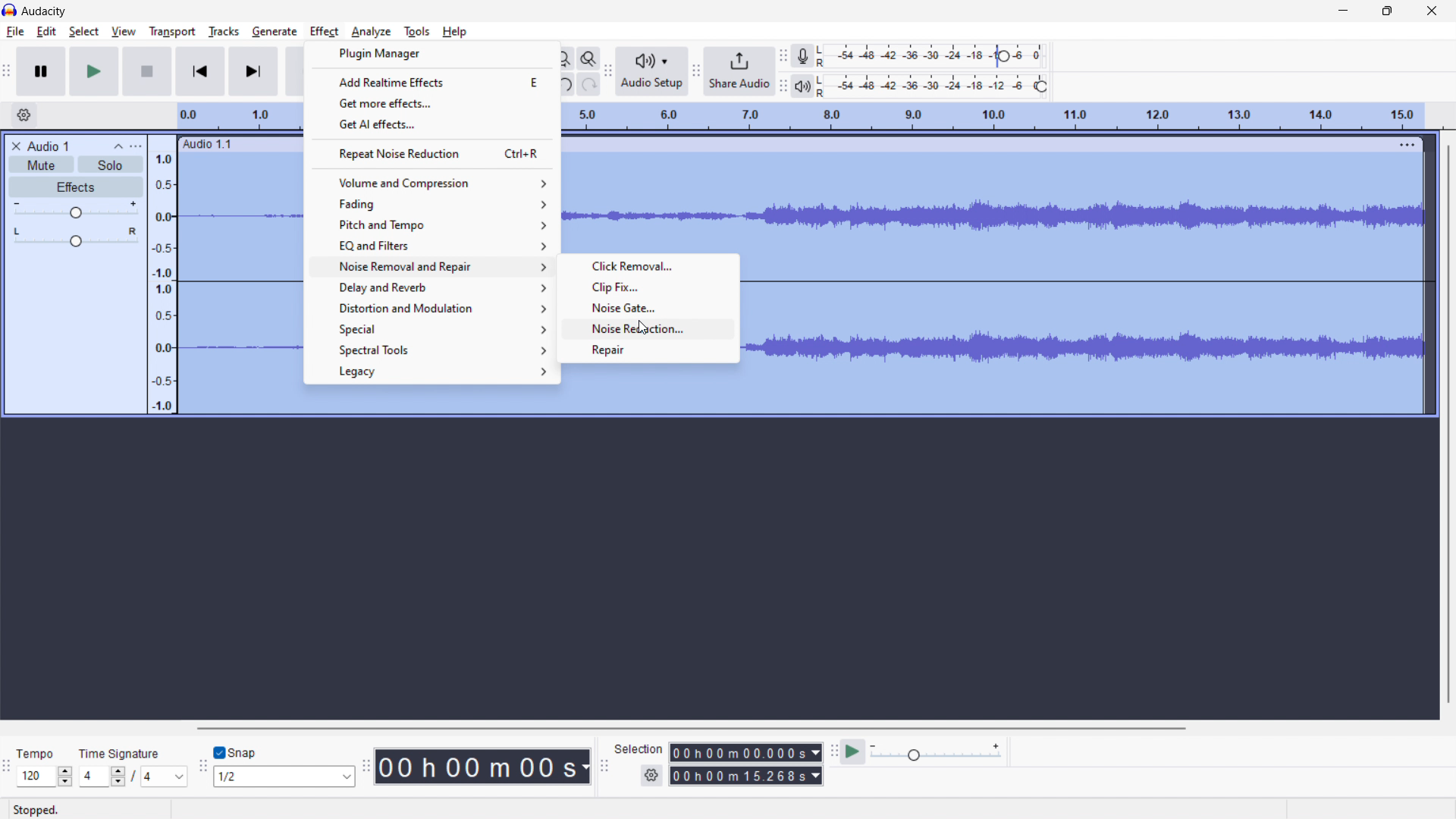  What do you see at coordinates (41, 165) in the screenshot?
I see `mute` at bounding box center [41, 165].